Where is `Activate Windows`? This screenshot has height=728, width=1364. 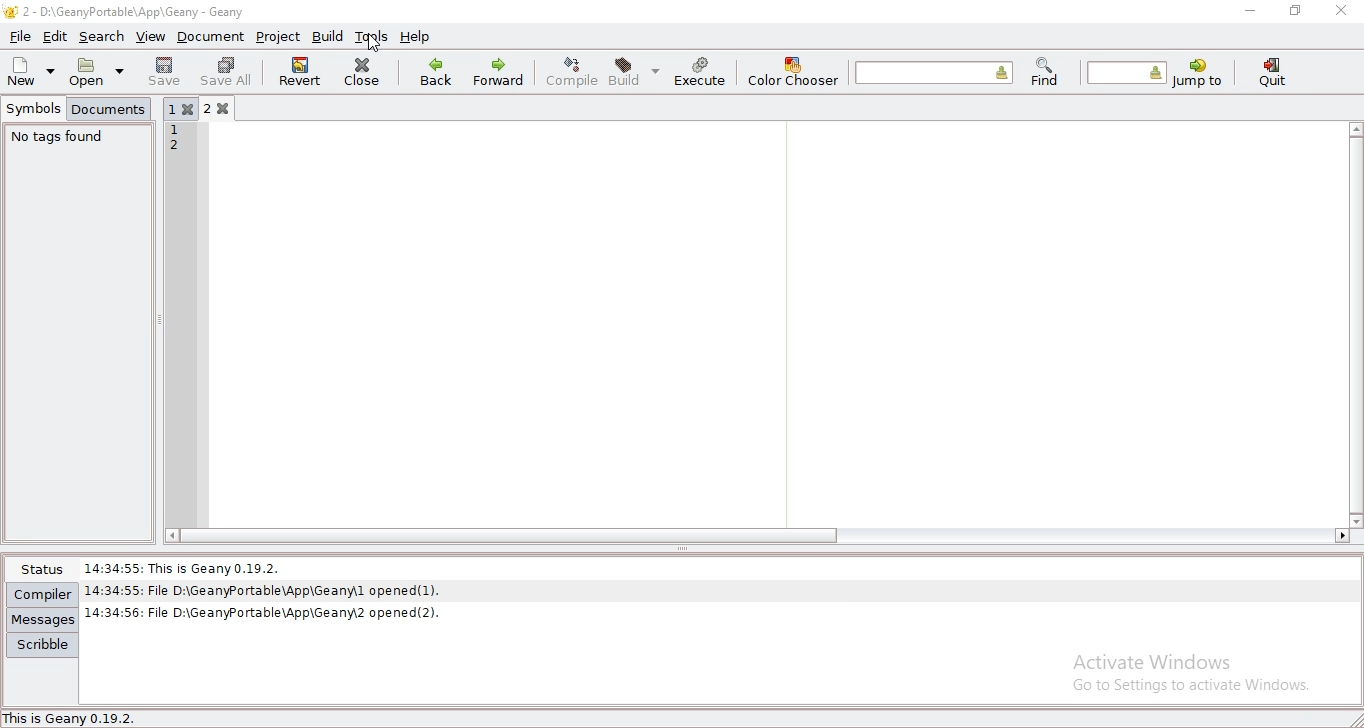
Activate Windows is located at coordinates (1159, 660).